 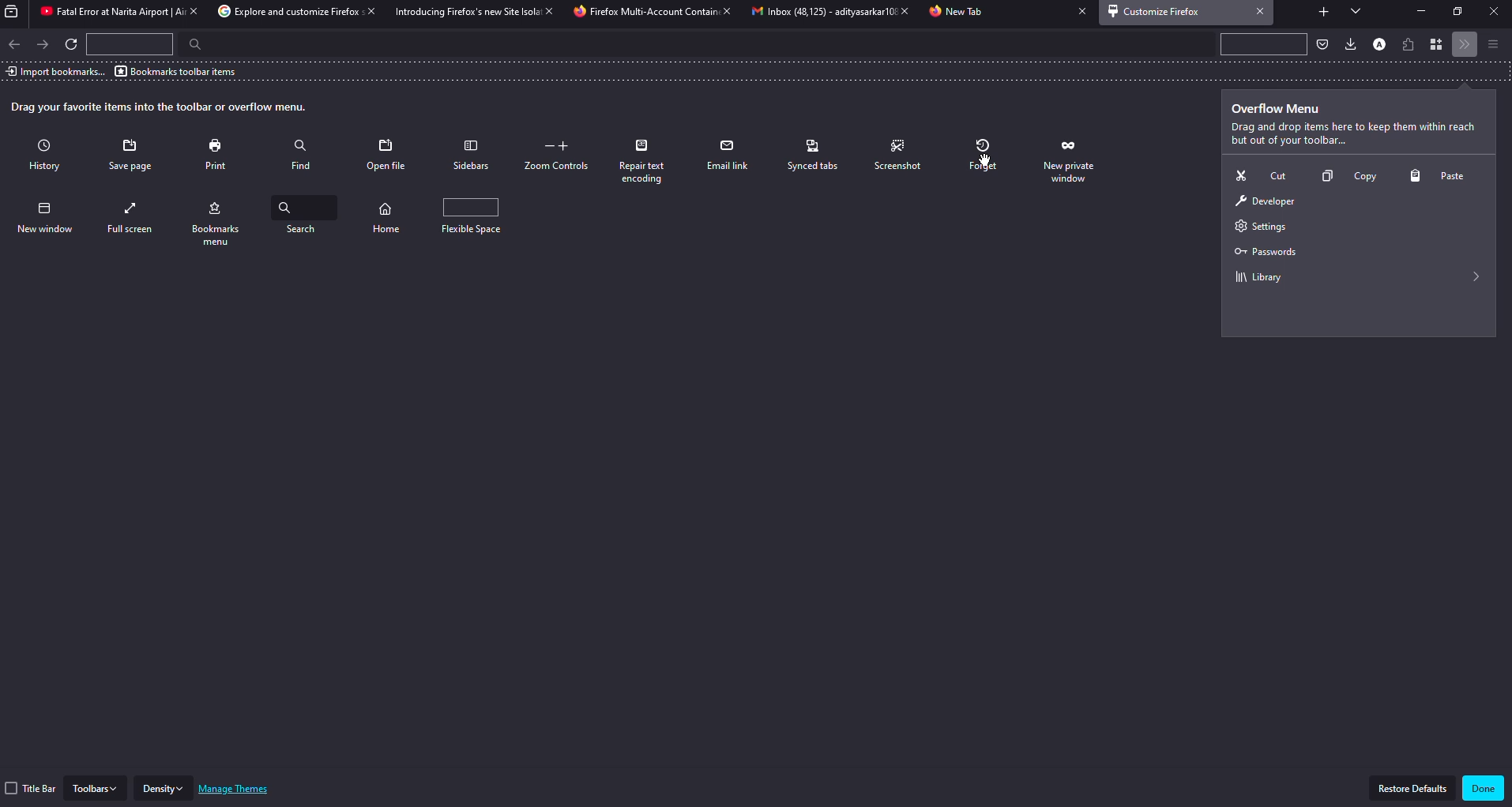 I want to click on save to packet, so click(x=1322, y=43).